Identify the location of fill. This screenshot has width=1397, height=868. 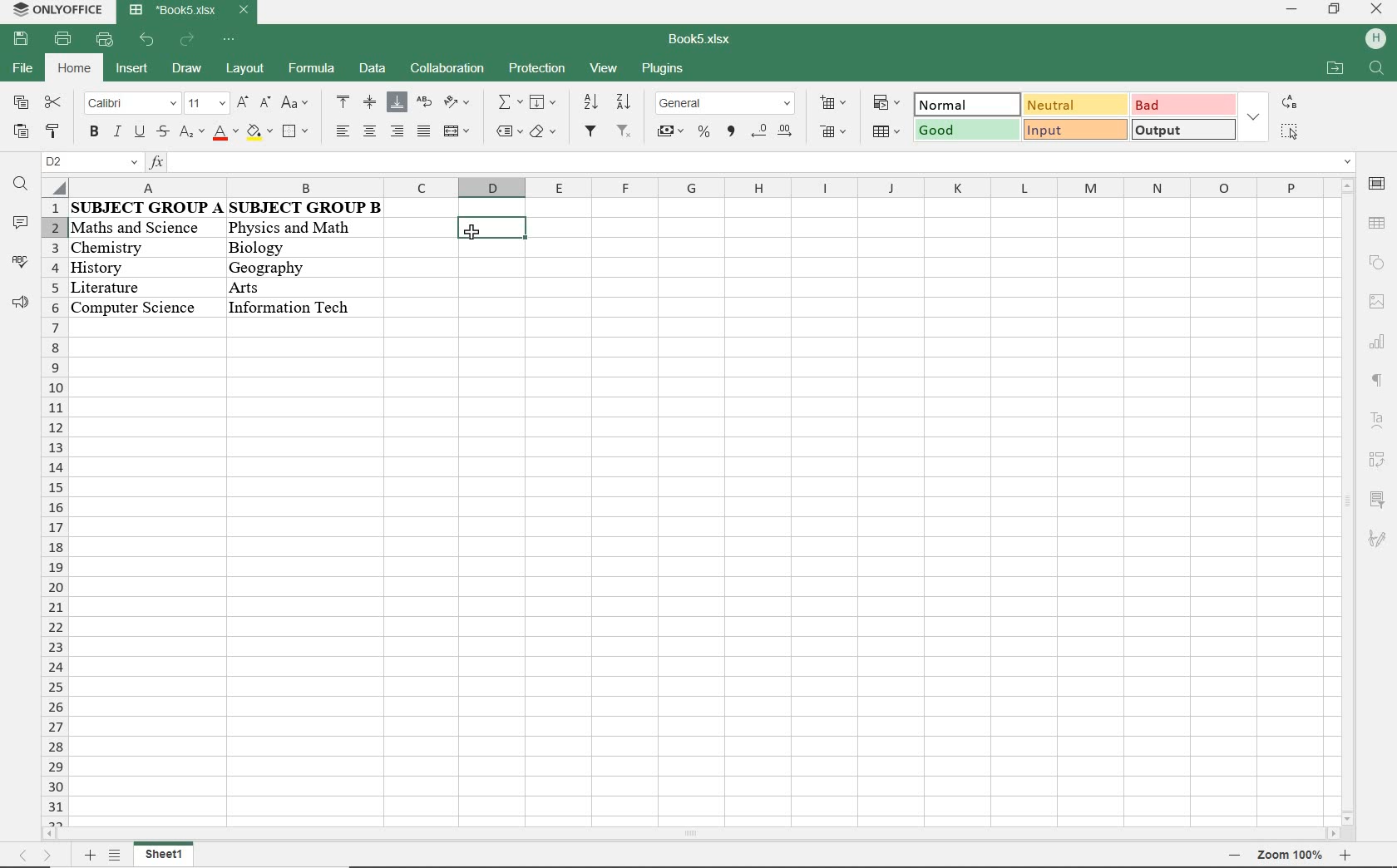
(542, 101).